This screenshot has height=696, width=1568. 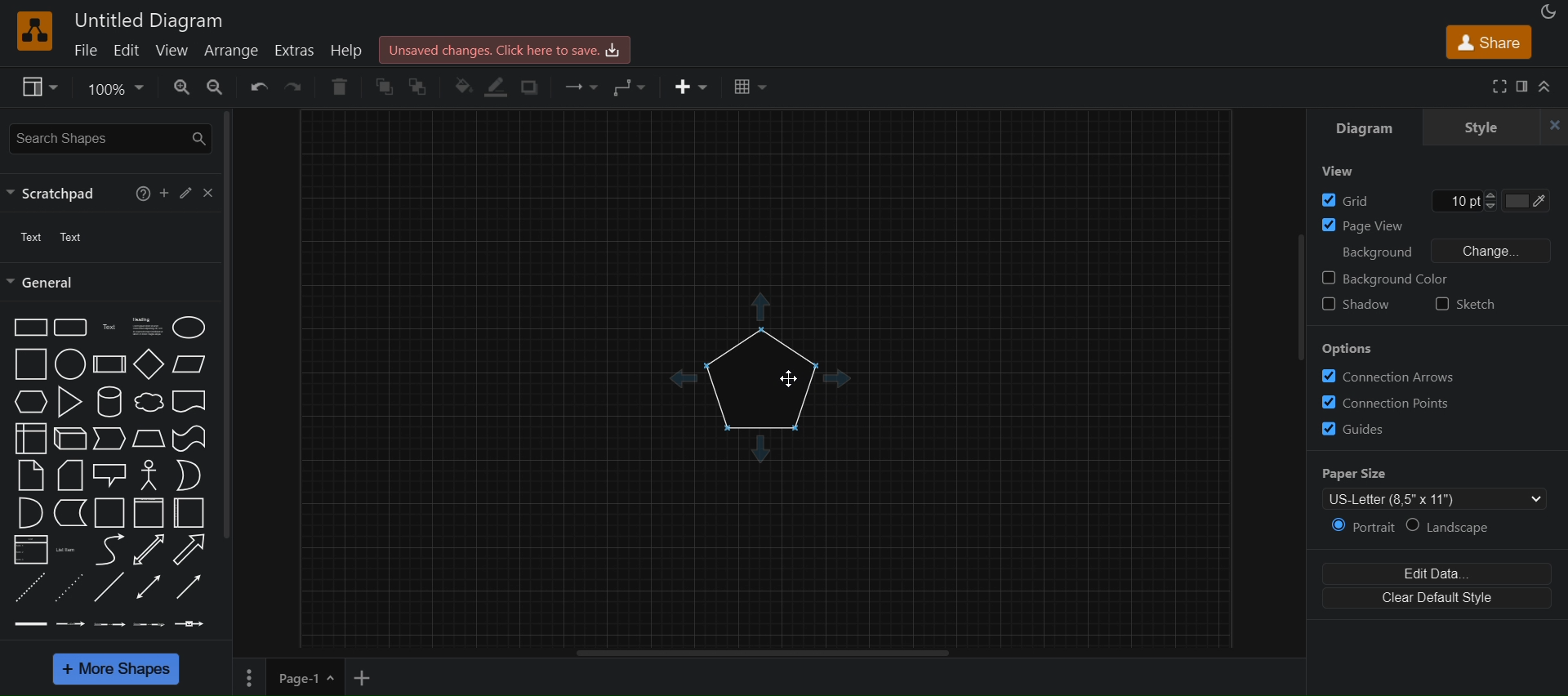 What do you see at coordinates (111, 328) in the screenshot?
I see `Text` at bounding box center [111, 328].